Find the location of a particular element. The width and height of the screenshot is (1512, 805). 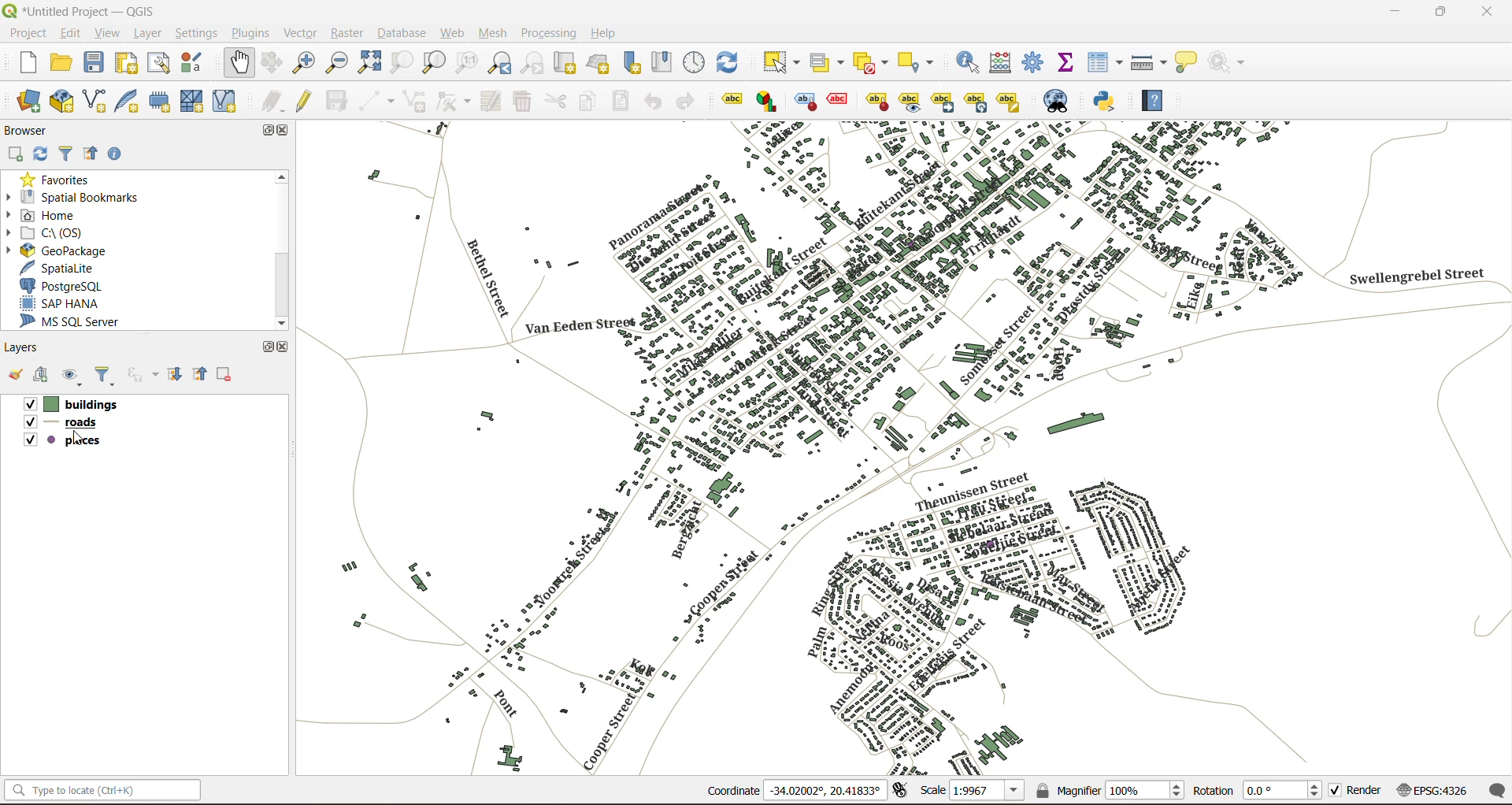

show\hide labels and diagrams is located at coordinates (912, 103).